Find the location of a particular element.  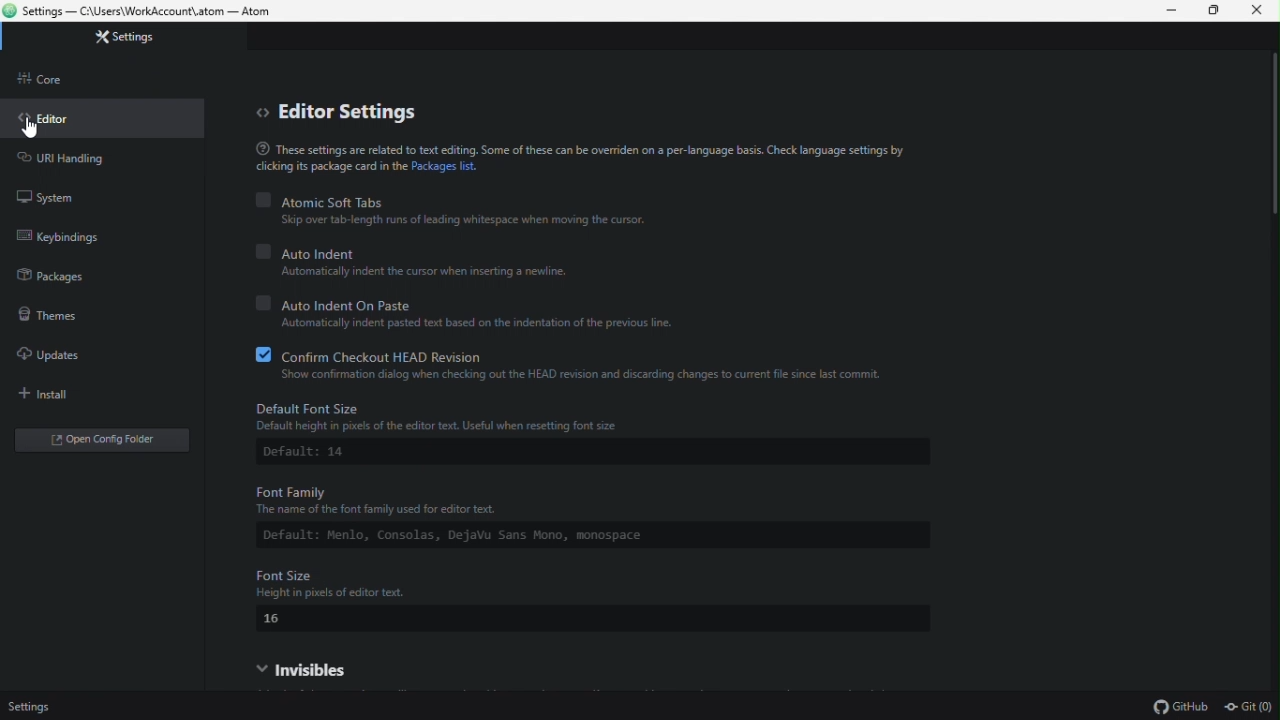

Theme is located at coordinates (62, 317).